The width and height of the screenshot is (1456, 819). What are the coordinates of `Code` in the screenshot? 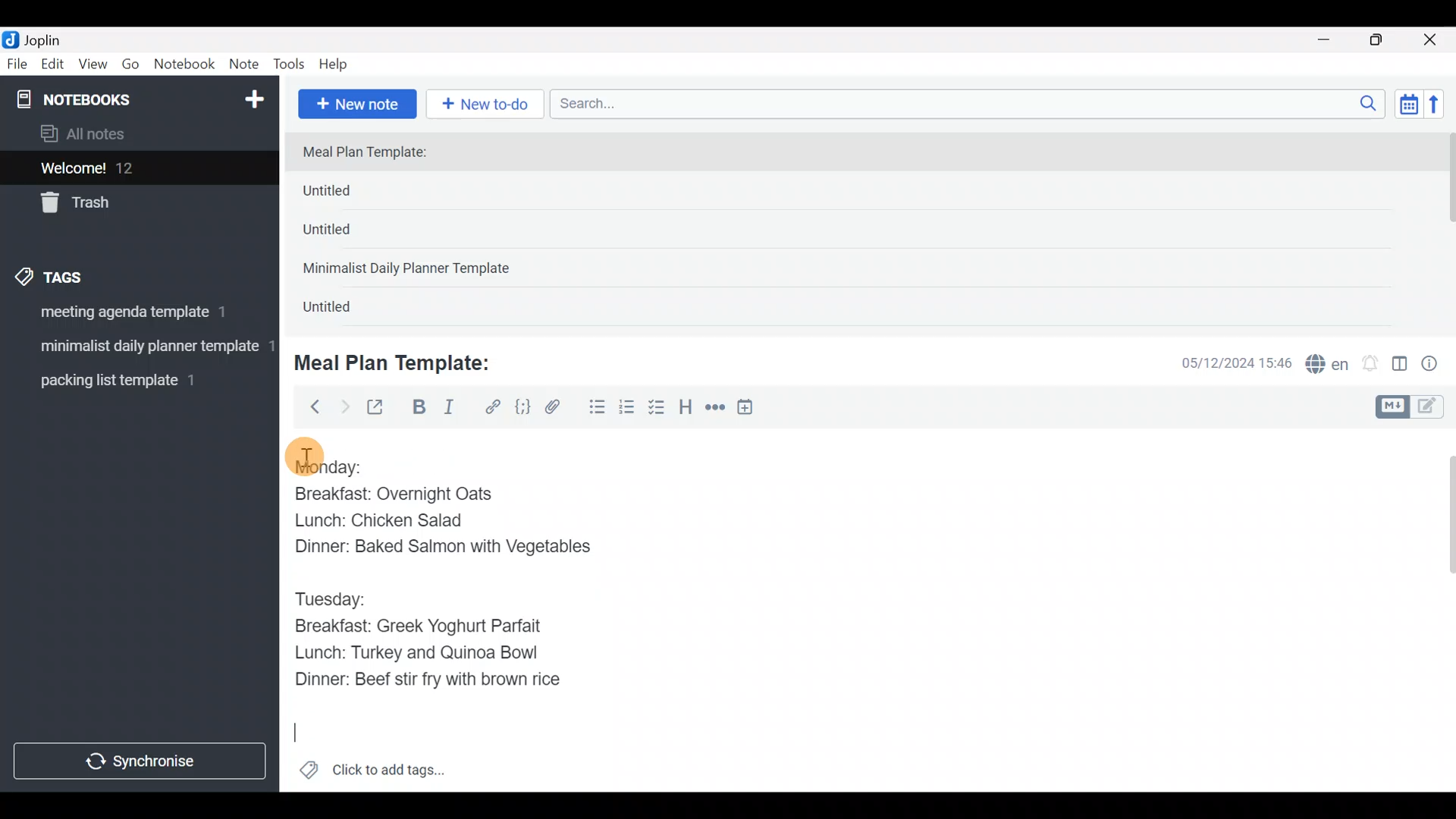 It's located at (521, 406).